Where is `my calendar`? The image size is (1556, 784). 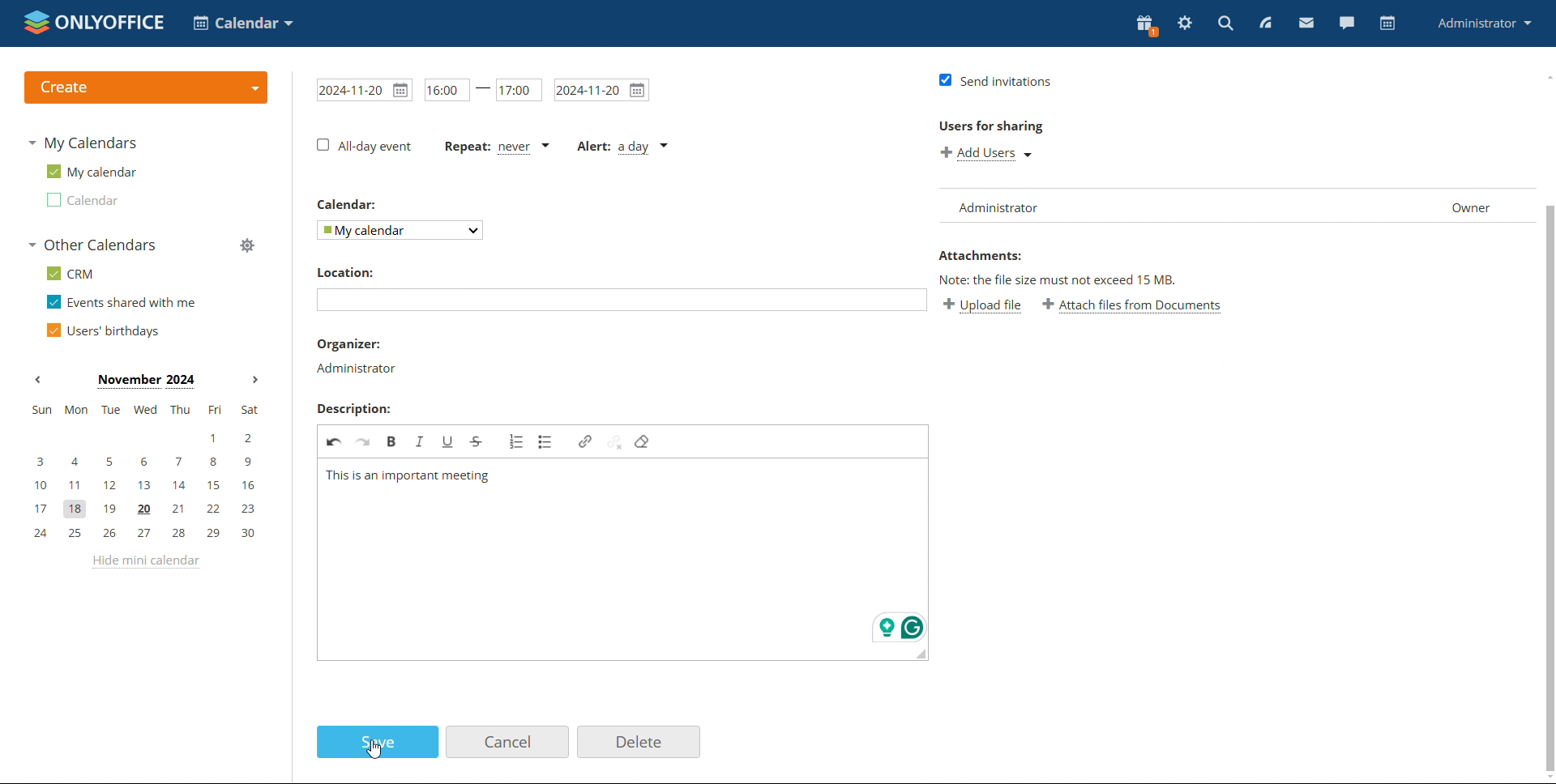
my calendar is located at coordinates (91, 170).